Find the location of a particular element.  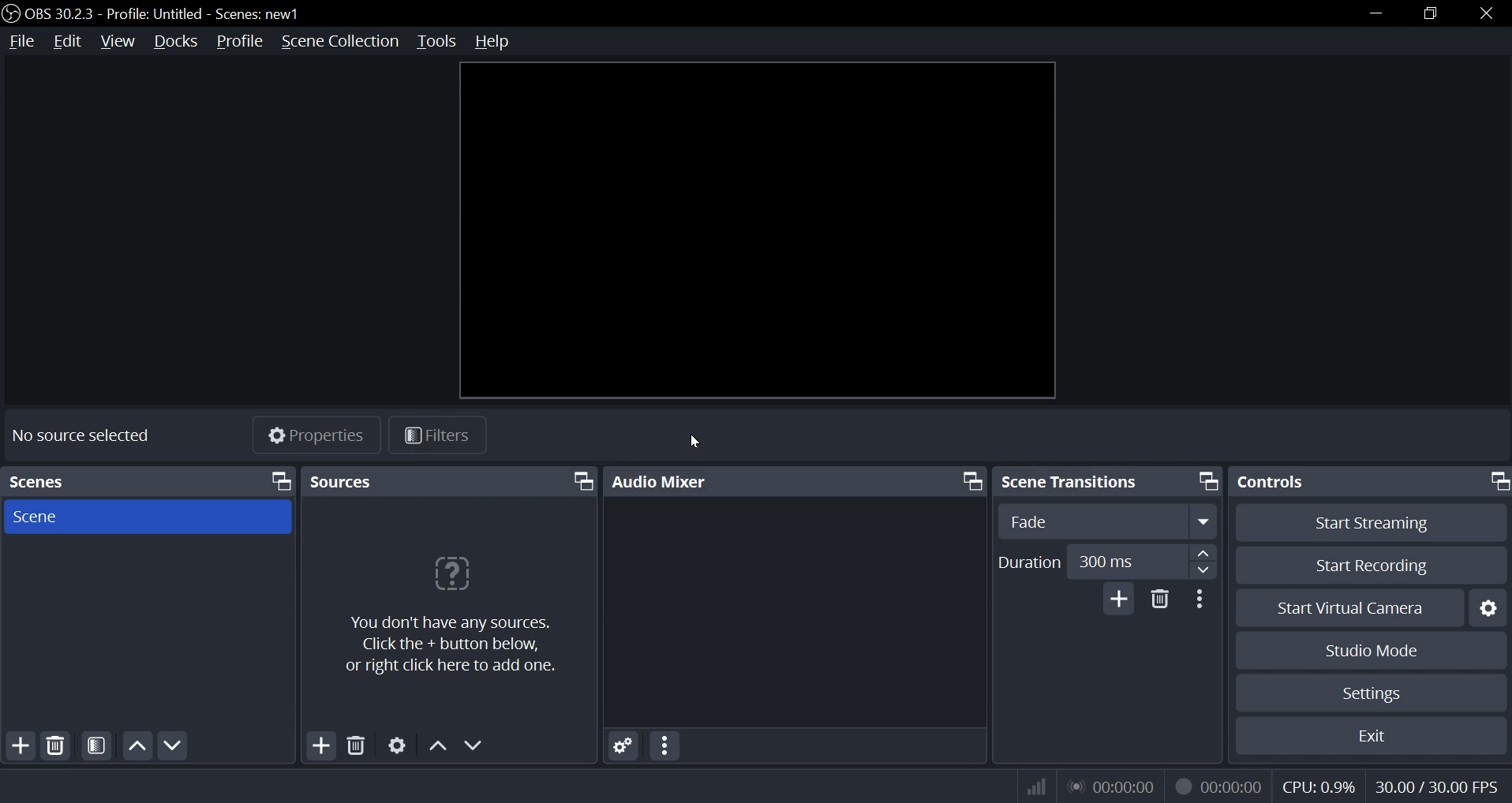

add is located at coordinates (1119, 599).